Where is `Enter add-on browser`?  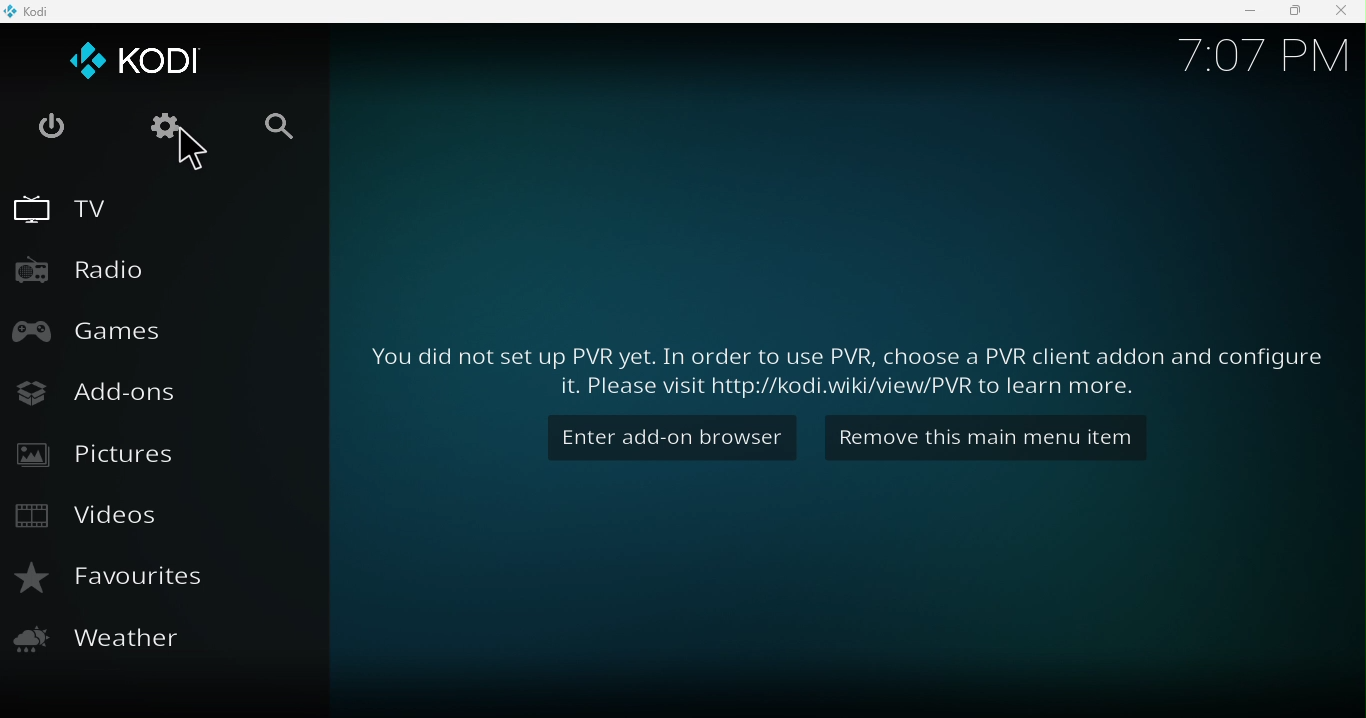
Enter add-on browser is located at coordinates (675, 440).